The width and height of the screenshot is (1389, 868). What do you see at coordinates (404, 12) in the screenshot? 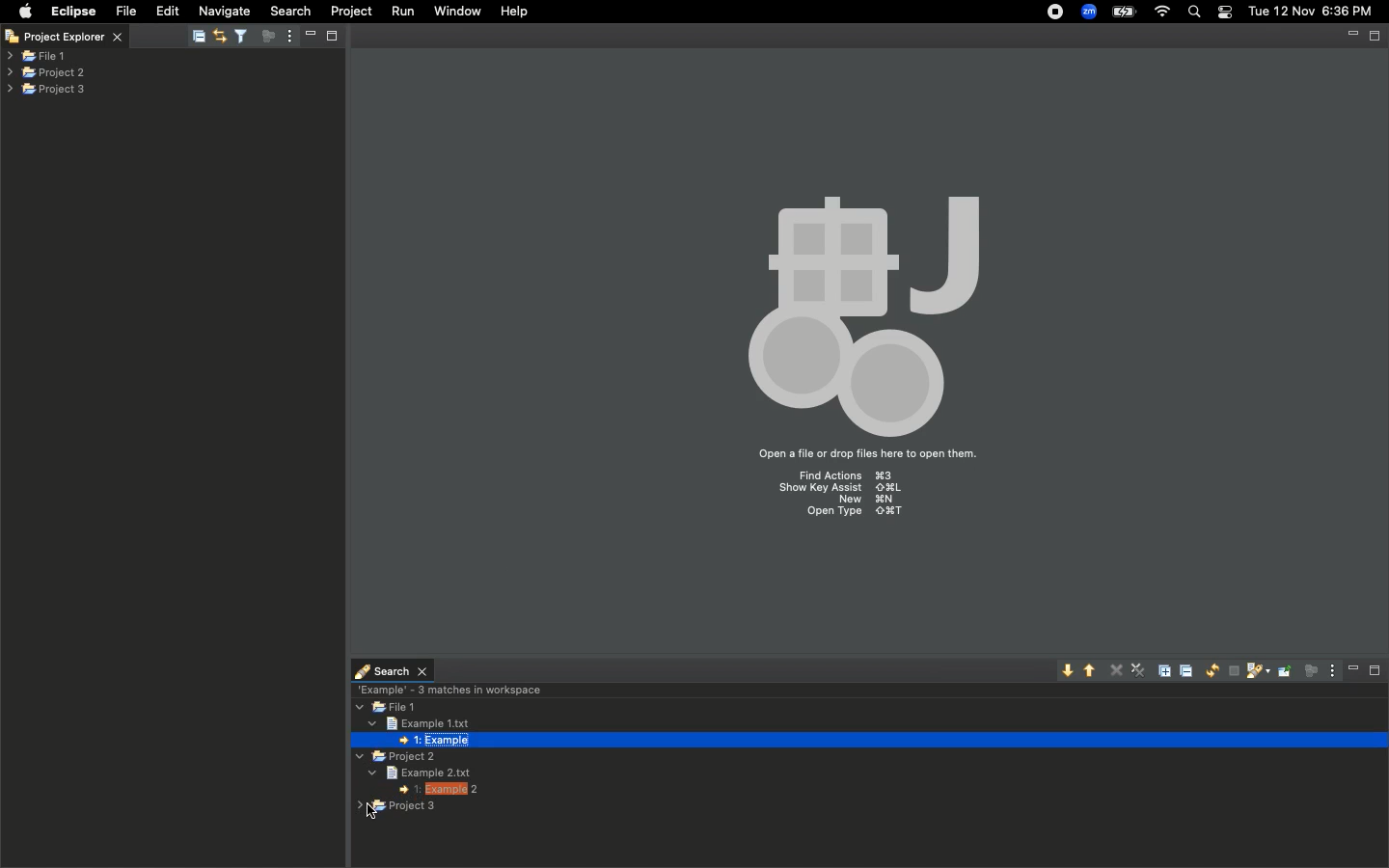
I see `Run` at bounding box center [404, 12].